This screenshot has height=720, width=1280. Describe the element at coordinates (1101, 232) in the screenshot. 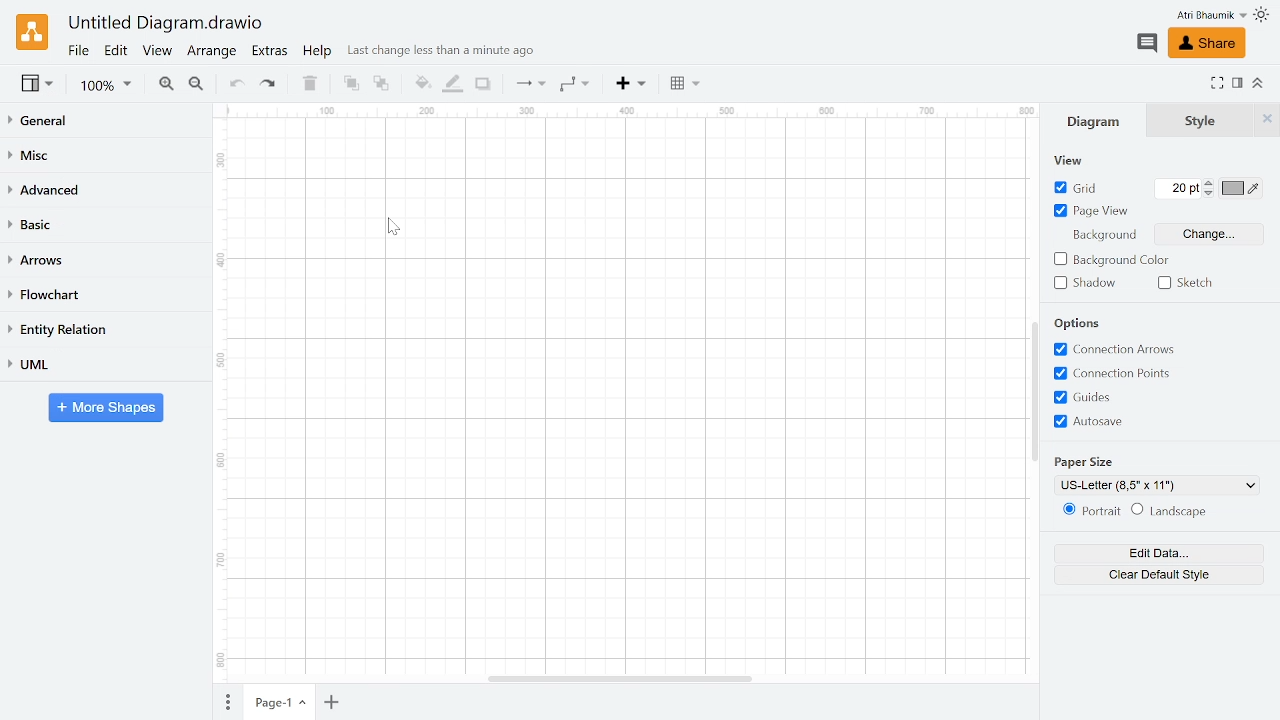

I see `background` at that location.